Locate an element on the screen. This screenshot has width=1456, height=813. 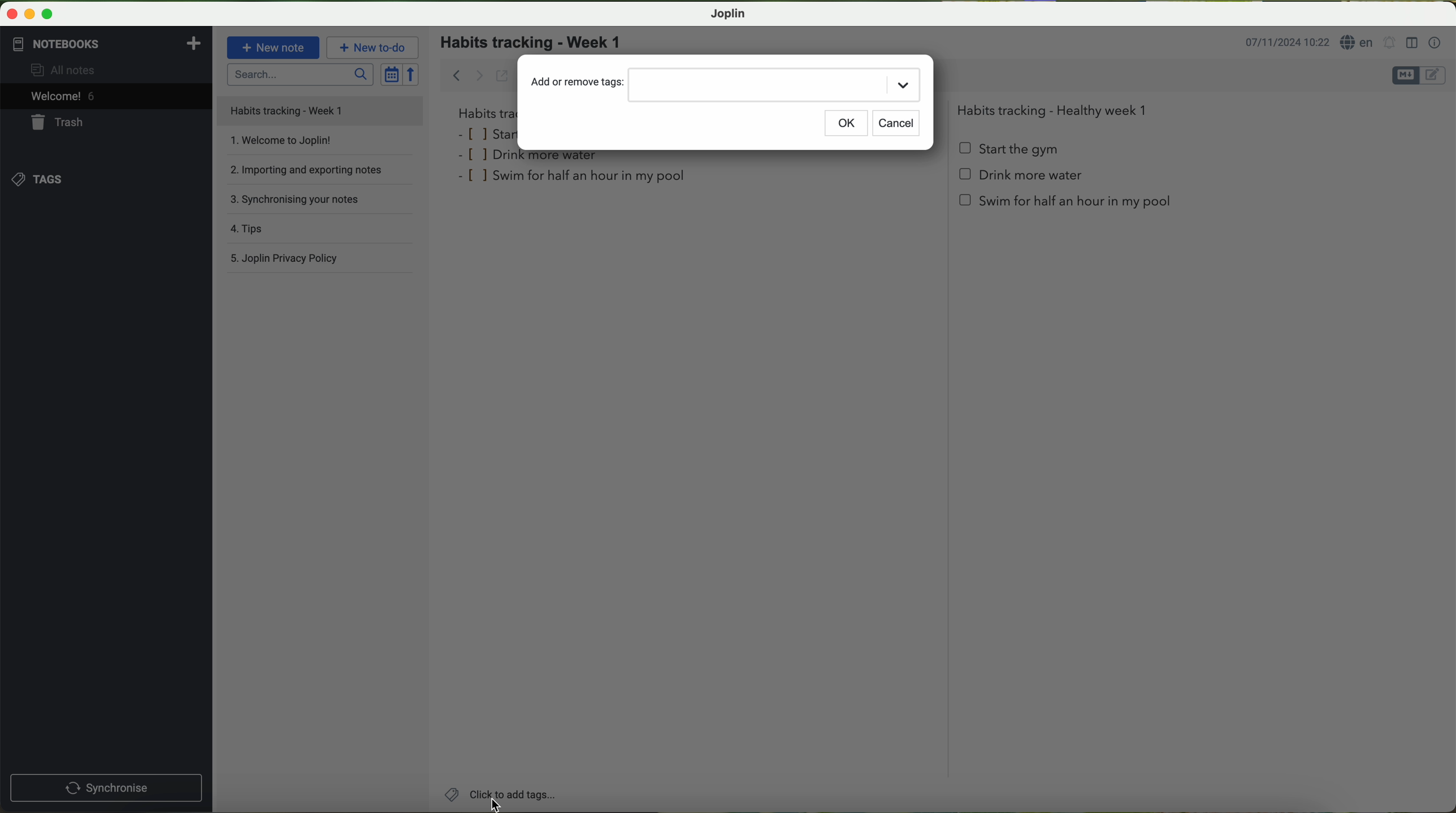
habits tra is located at coordinates (485, 113).